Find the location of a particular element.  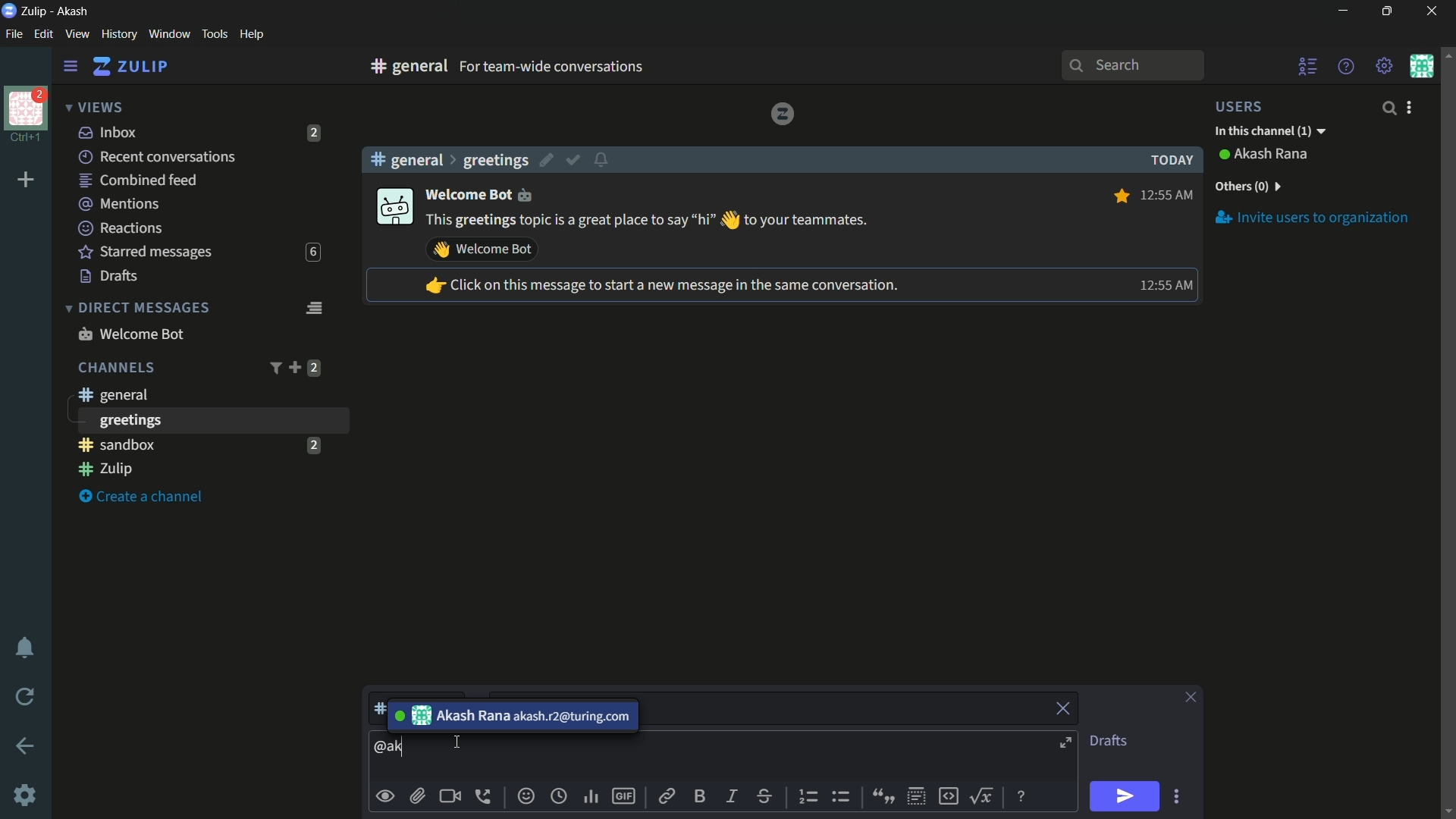

configure topic notifications is located at coordinates (604, 158).